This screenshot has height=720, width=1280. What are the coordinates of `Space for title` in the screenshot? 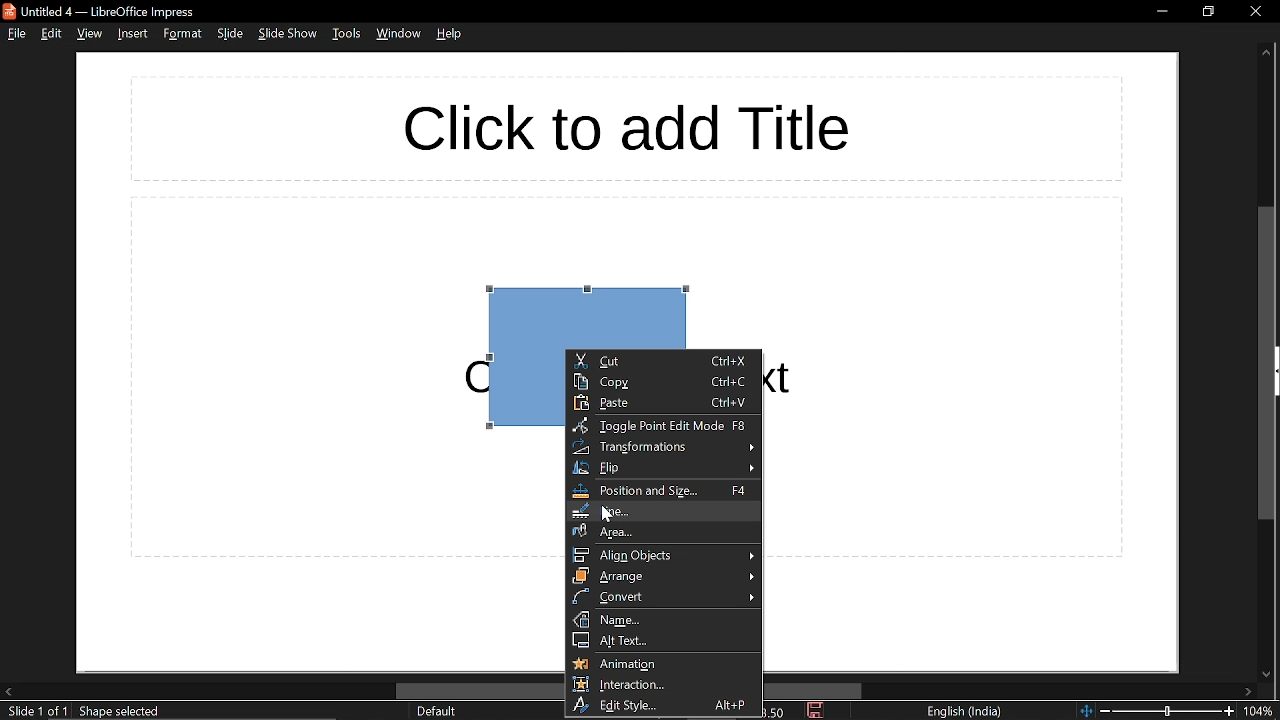 It's located at (616, 127).